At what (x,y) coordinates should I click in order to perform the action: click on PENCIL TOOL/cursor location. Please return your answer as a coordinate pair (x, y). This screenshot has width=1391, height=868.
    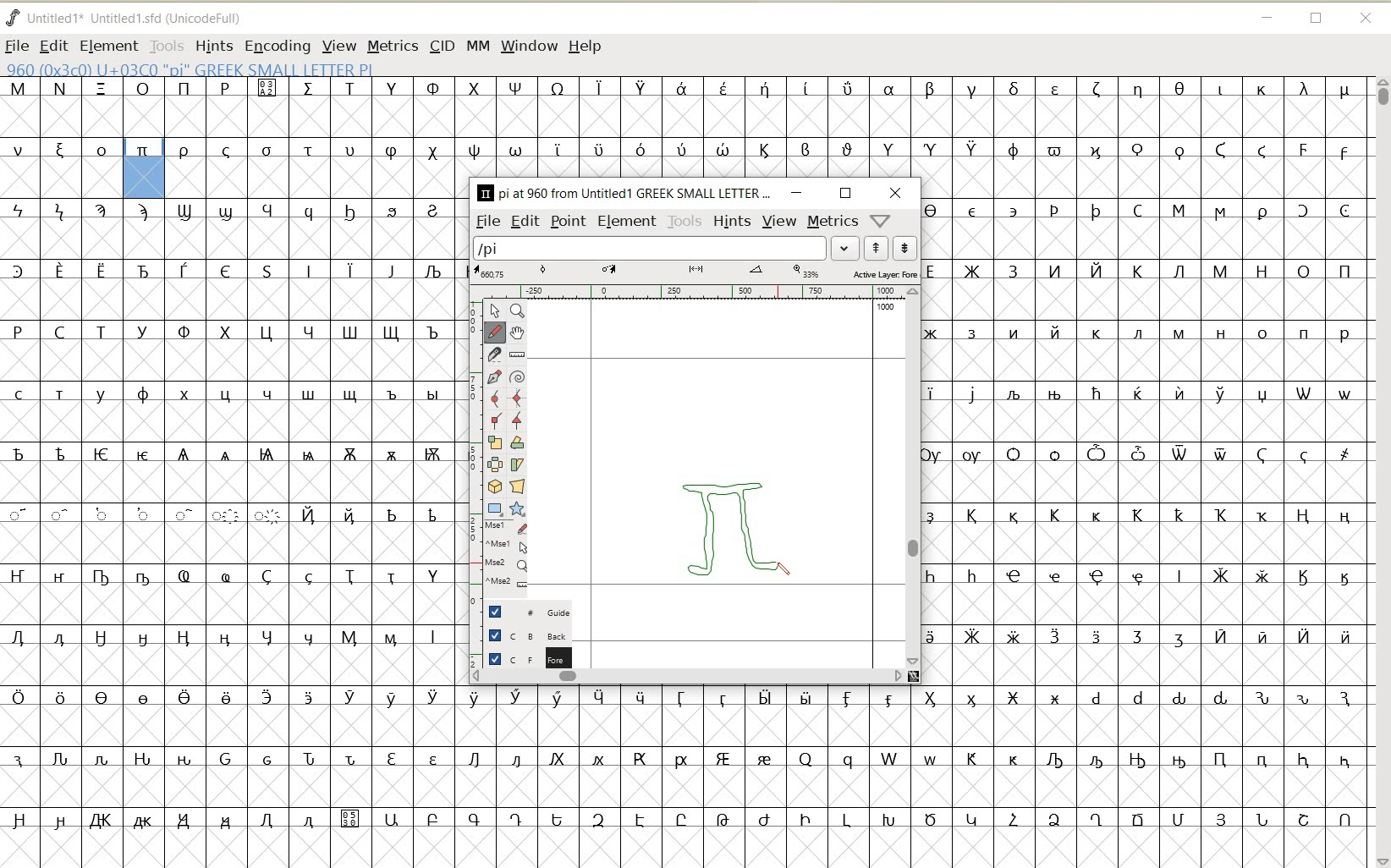
    Looking at the image, I should click on (783, 569).